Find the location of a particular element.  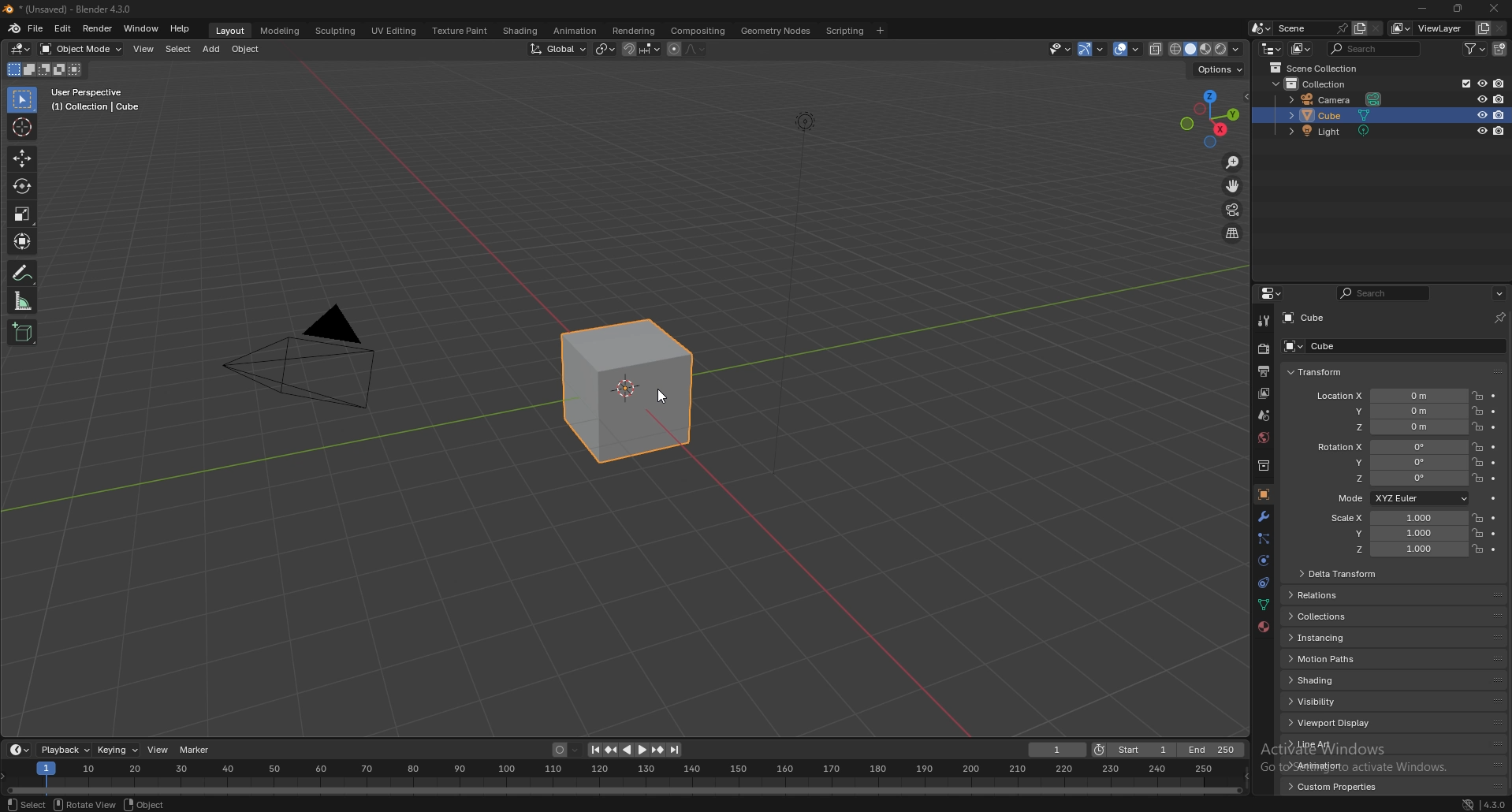

physics is located at coordinates (1264, 561).